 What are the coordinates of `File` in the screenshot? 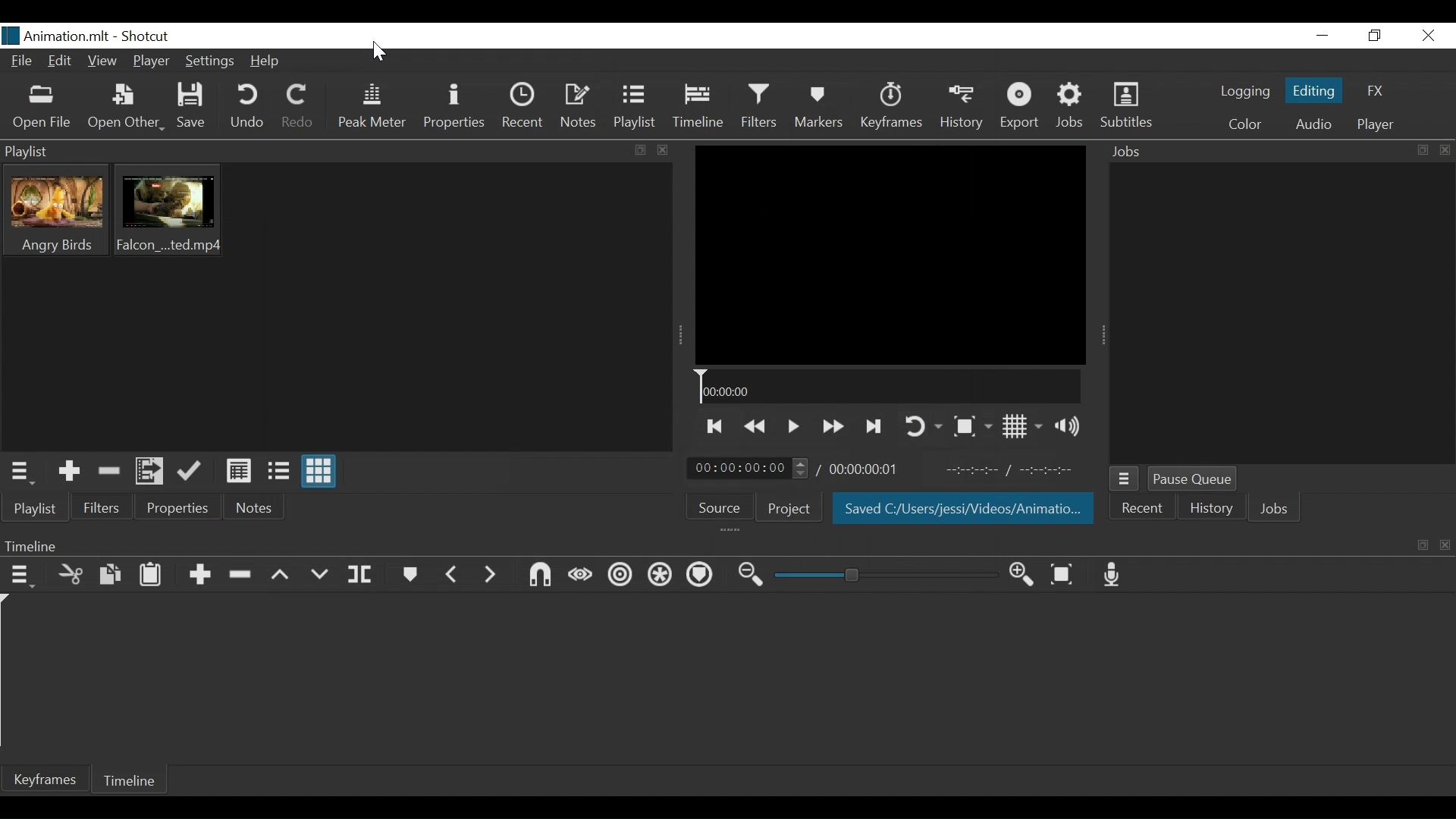 It's located at (22, 63).